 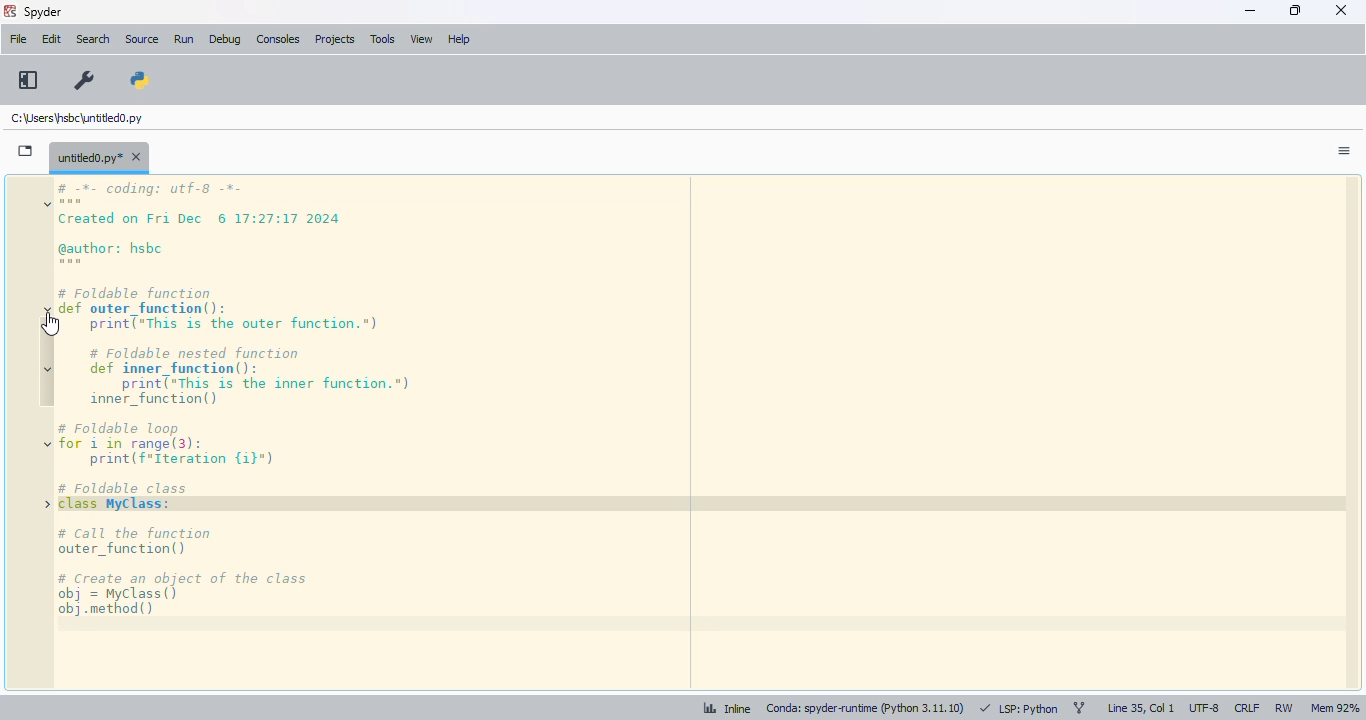 I want to click on LSP: python, so click(x=1018, y=709).